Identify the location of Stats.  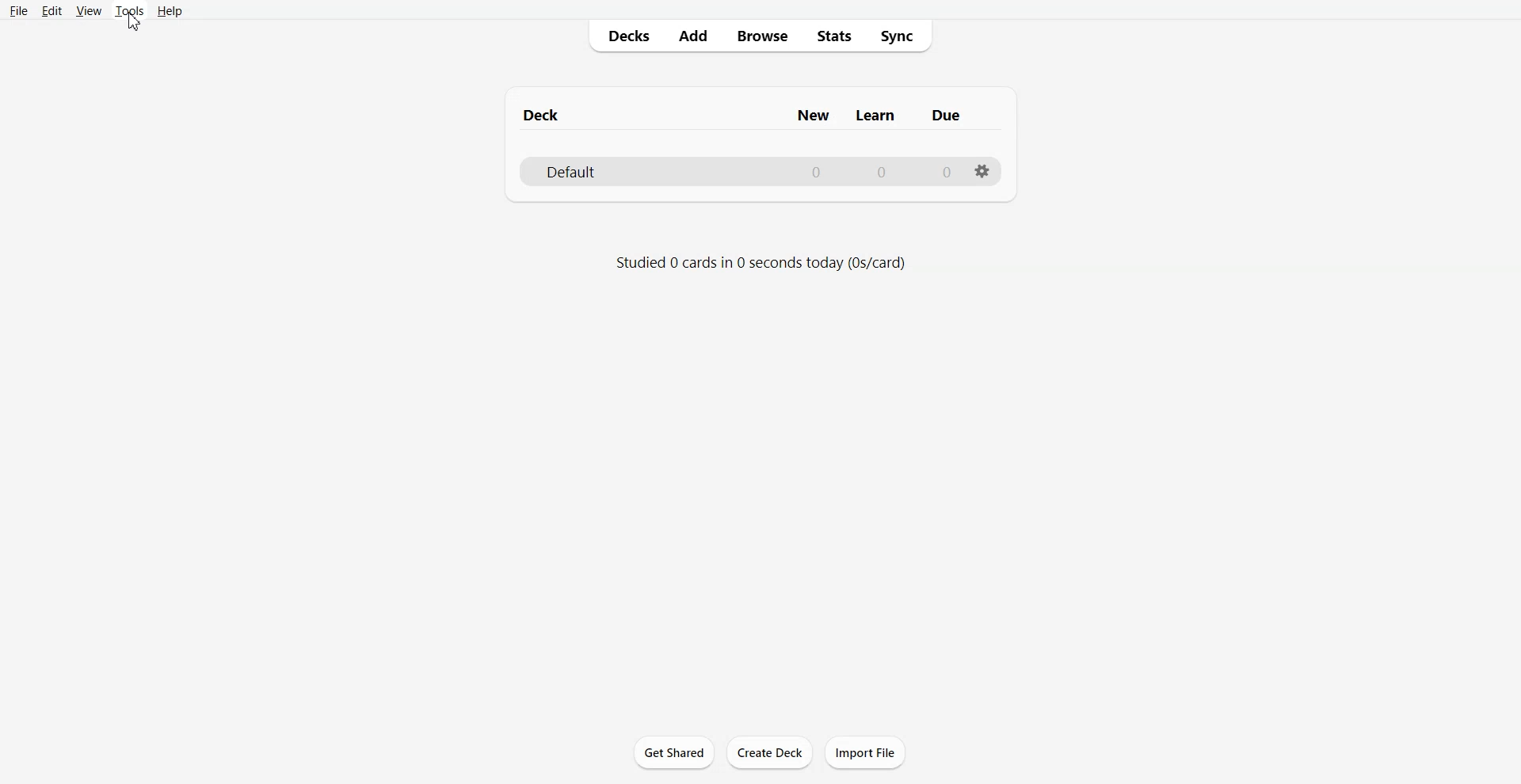
(833, 36).